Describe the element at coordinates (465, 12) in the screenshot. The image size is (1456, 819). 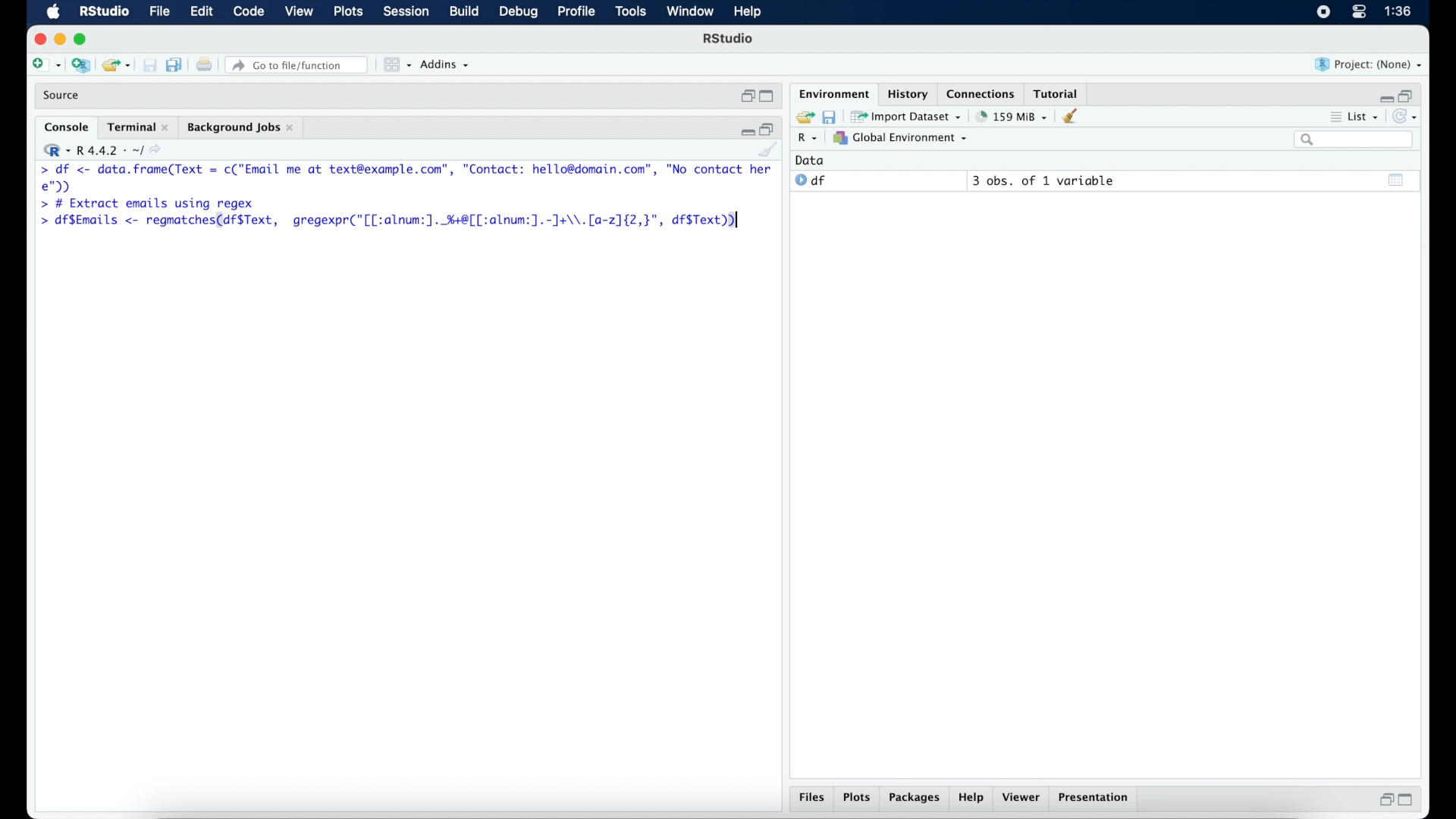
I see `build` at that location.